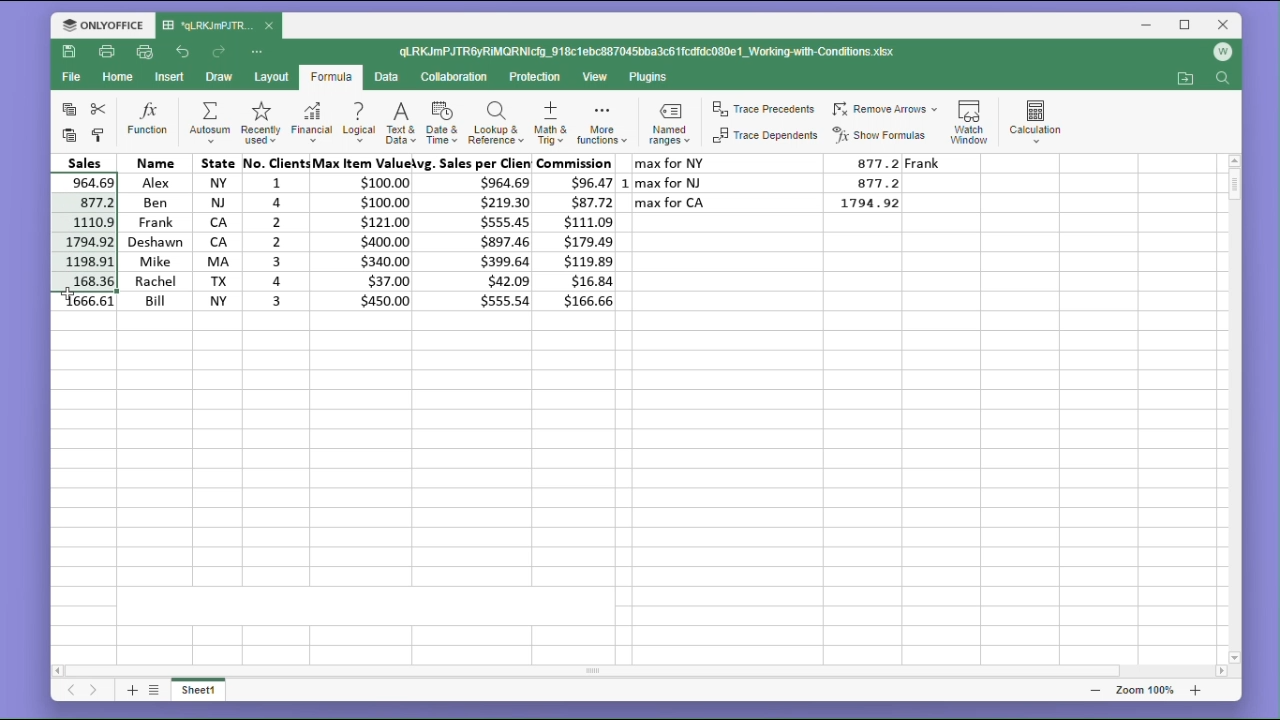  What do you see at coordinates (495, 125) in the screenshot?
I see `lookup and reference` at bounding box center [495, 125].